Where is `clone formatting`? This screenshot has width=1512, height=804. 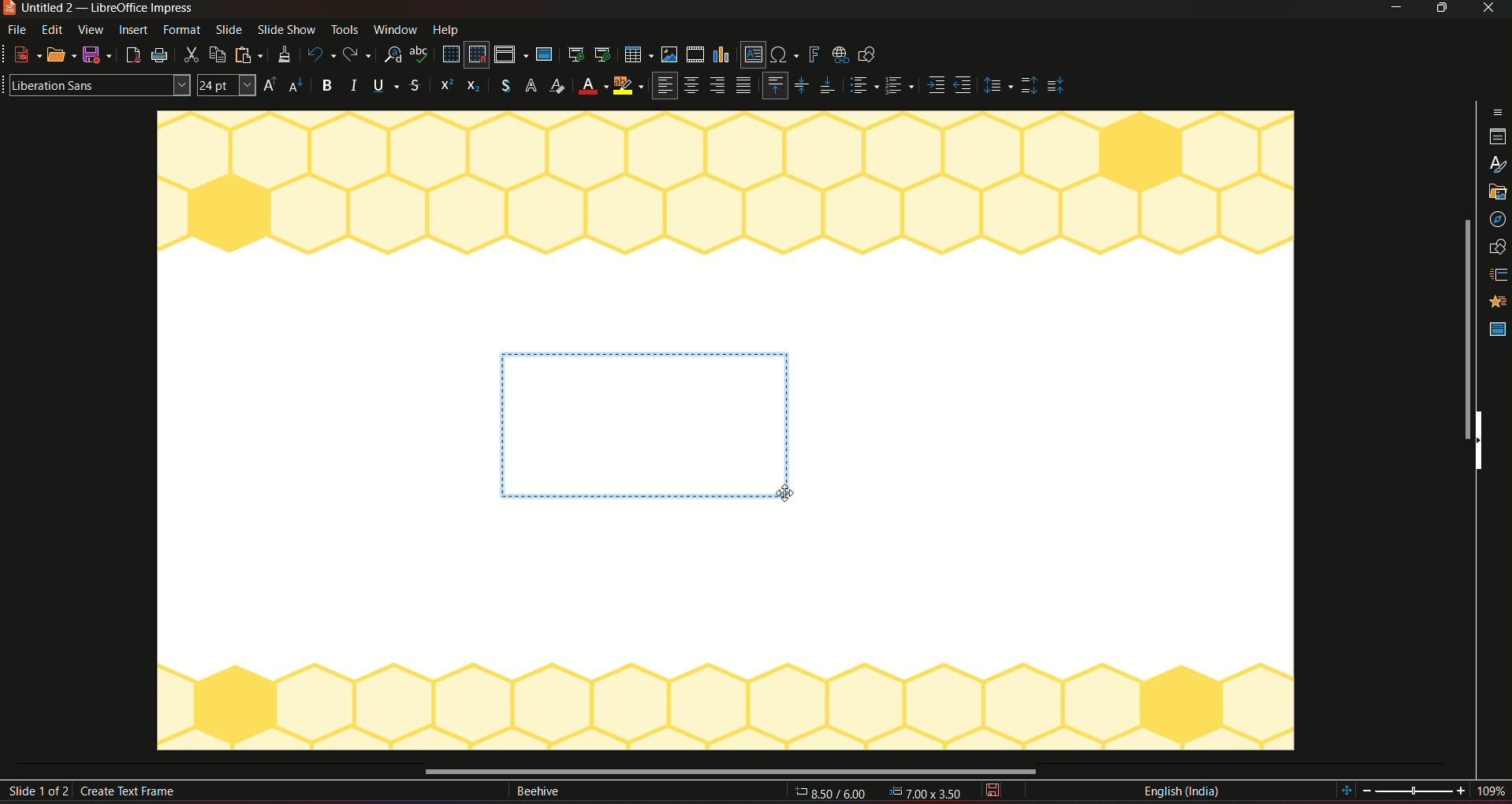
clone formatting is located at coordinates (282, 55).